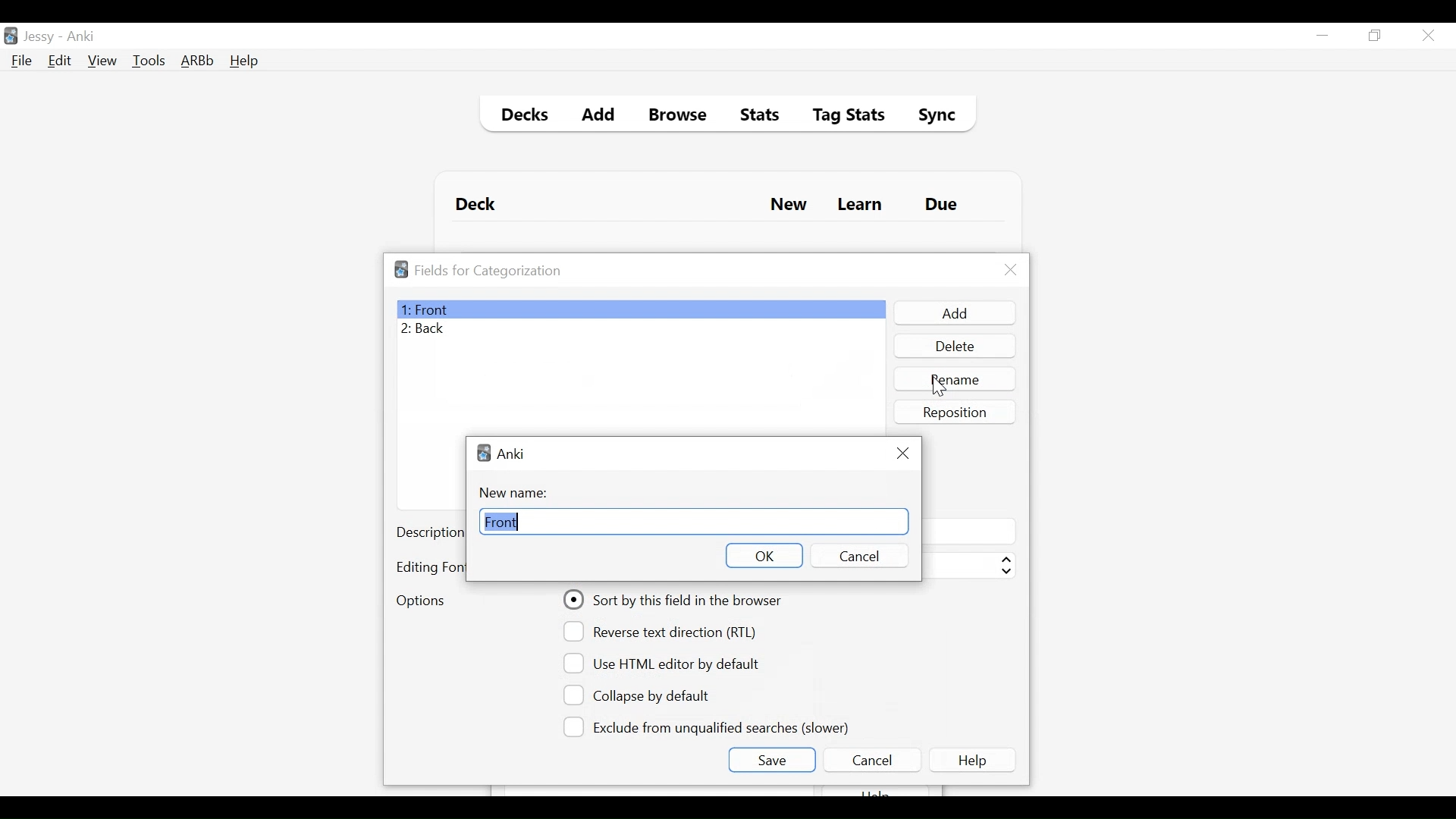  I want to click on Editing Font, so click(430, 567).